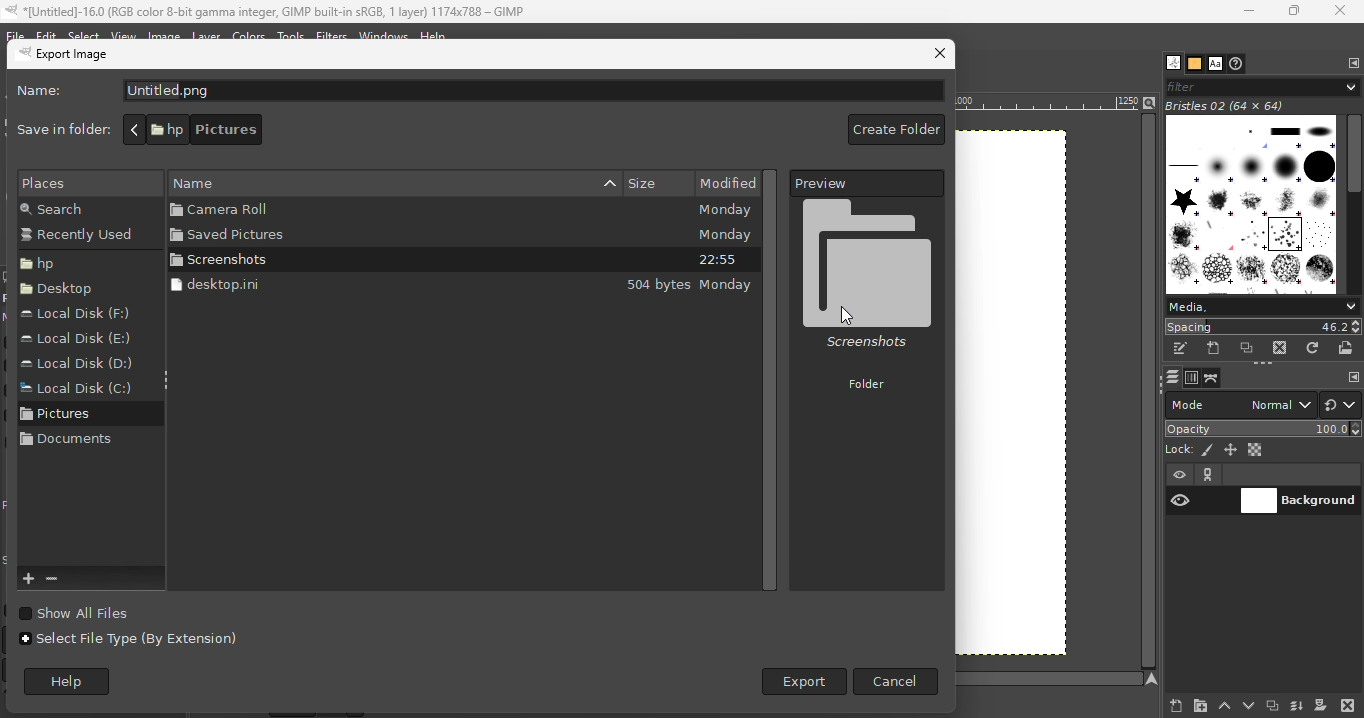  What do you see at coordinates (1280, 348) in the screenshot?
I see `delete this brush` at bounding box center [1280, 348].